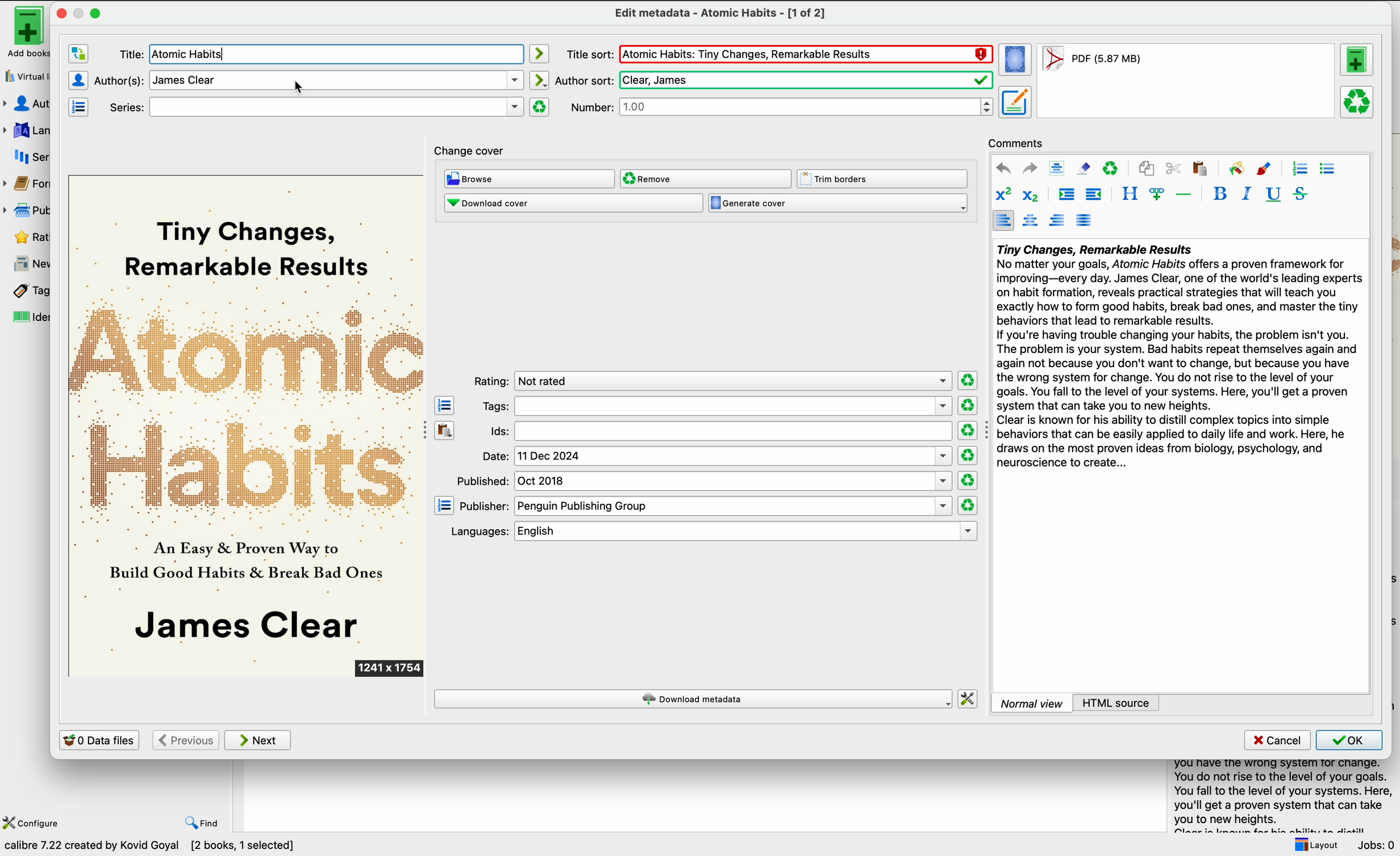 The height and width of the screenshot is (856, 1400). What do you see at coordinates (1184, 194) in the screenshot?
I see `insert separator` at bounding box center [1184, 194].